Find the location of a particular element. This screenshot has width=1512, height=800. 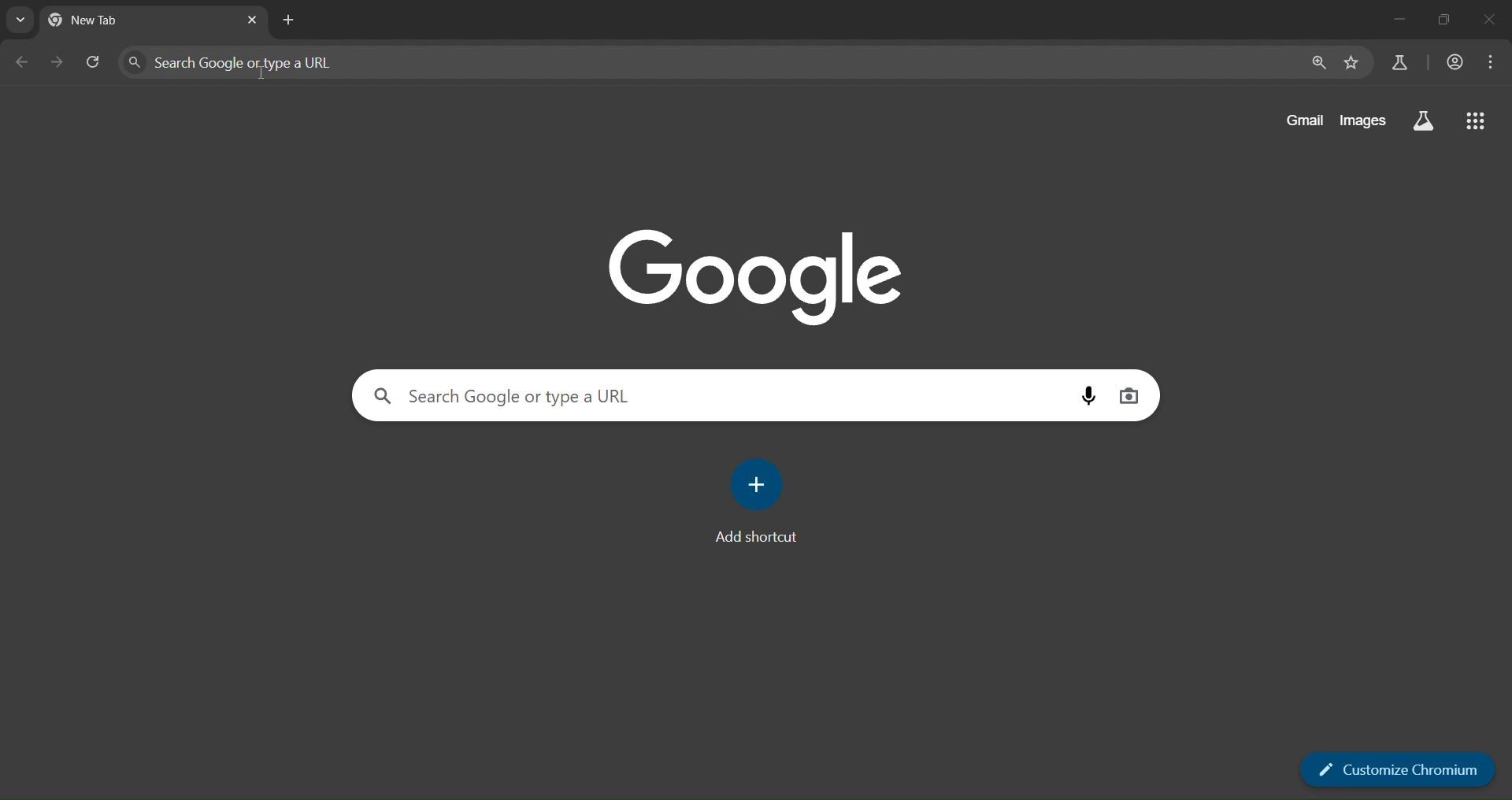

searchpanel is located at coordinates (704, 62).